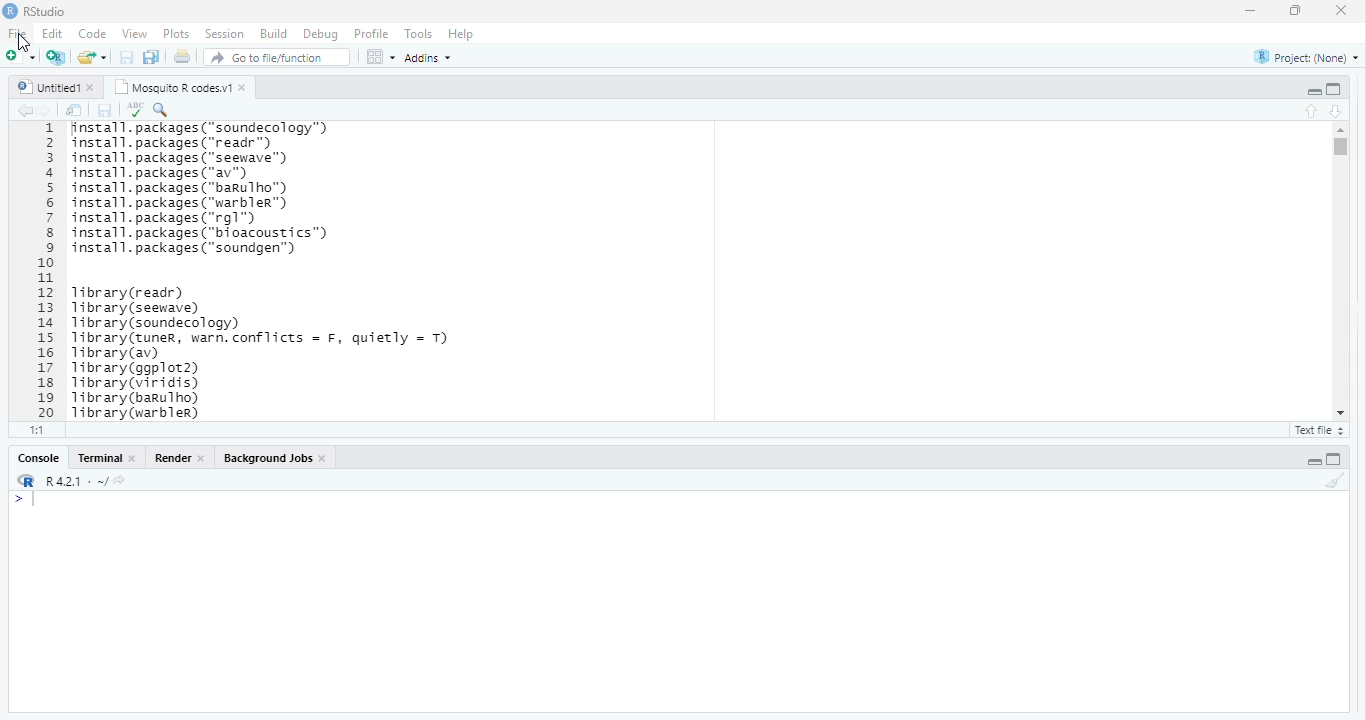  Describe the element at coordinates (1334, 459) in the screenshot. I see `full view` at that location.